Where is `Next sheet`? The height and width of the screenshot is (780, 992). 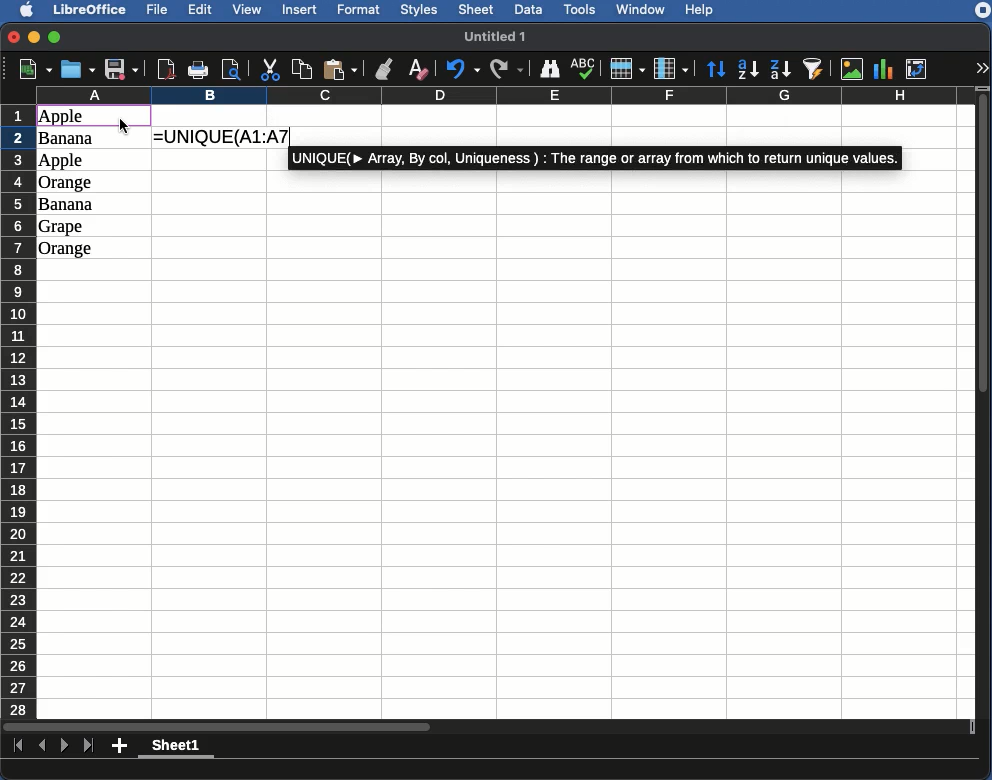
Next sheet is located at coordinates (65, 748).